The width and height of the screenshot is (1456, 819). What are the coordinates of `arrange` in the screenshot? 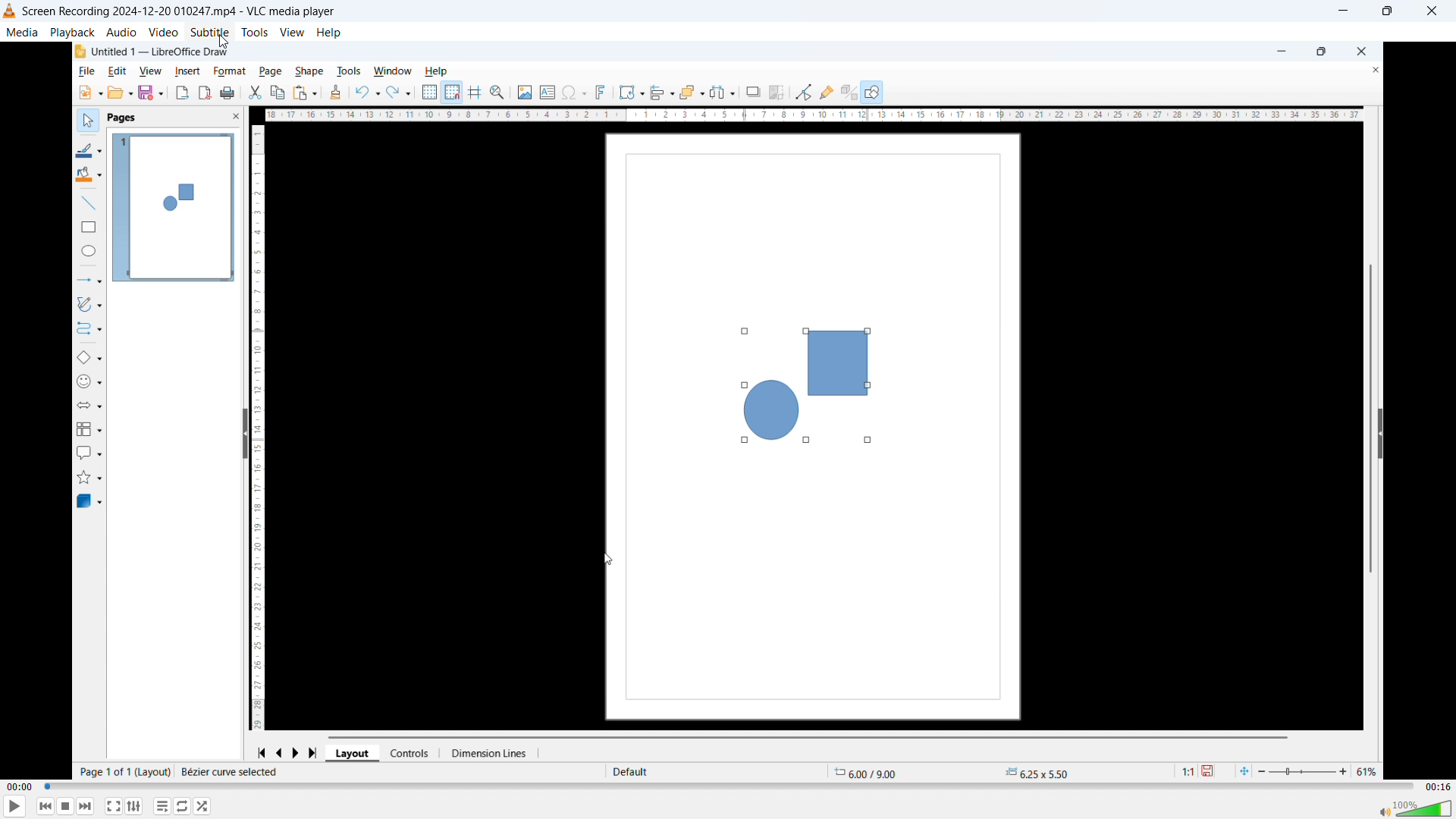 It's located at (692, 92).